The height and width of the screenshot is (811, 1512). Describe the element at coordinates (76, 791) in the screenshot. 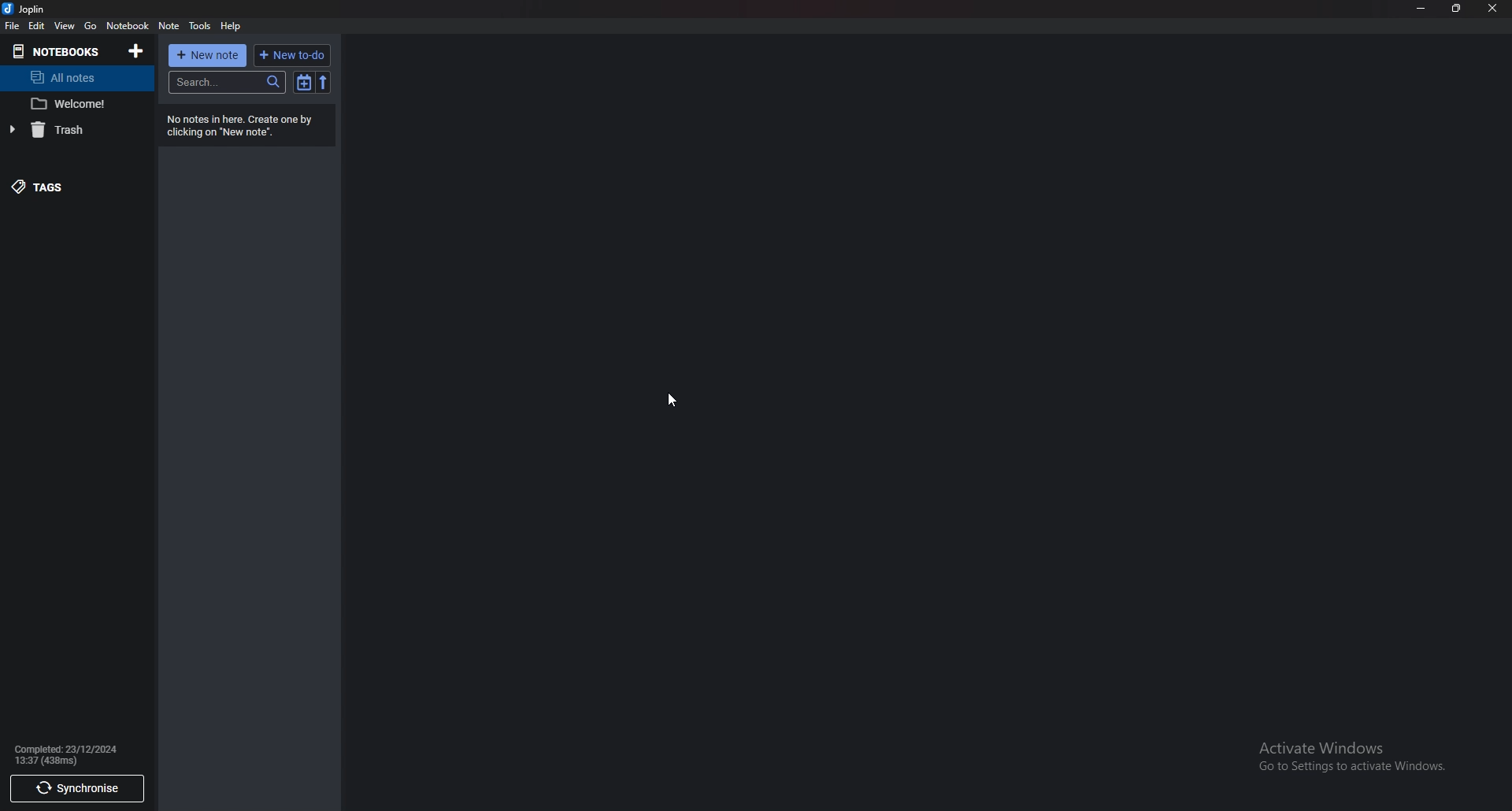

I see `Synchronize` at that location.